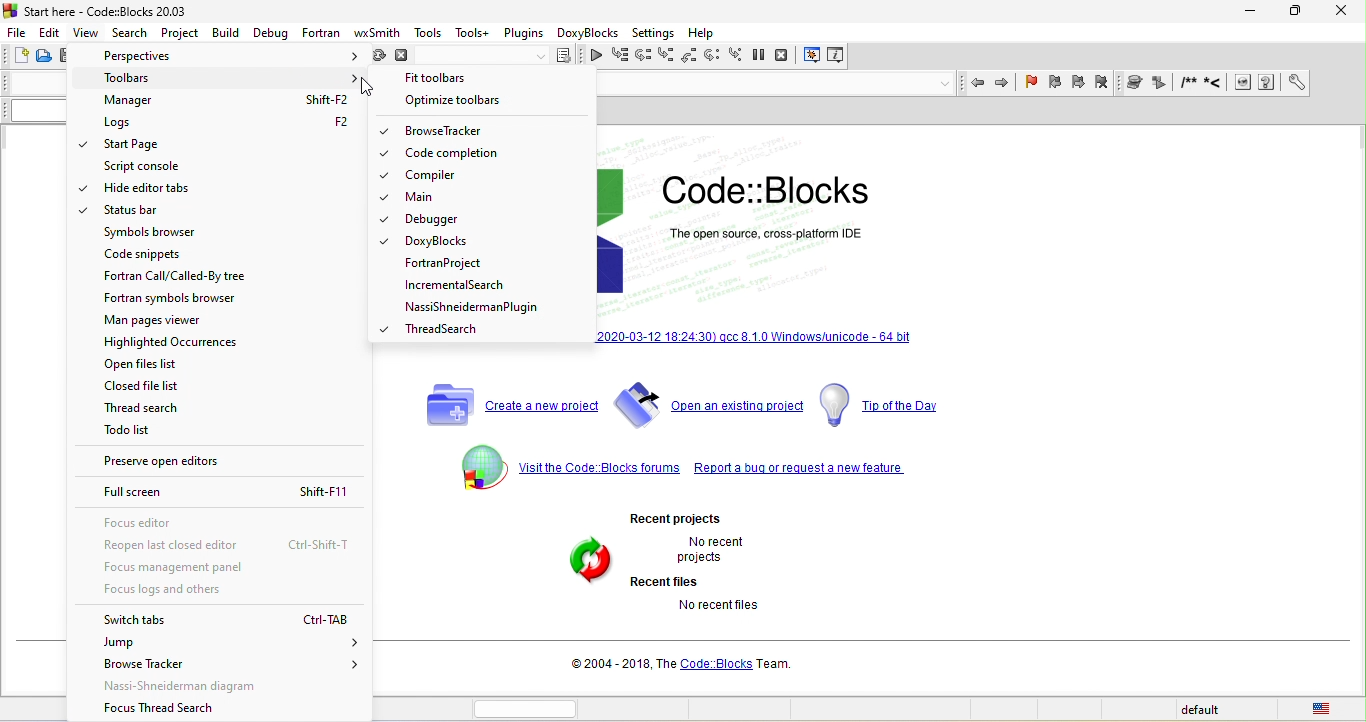 The width and height of the screenshot is (1366, 722). Describe the element at coordinates (529, 708) in the screenshot. I see `horizontal scroll bar` at that location.